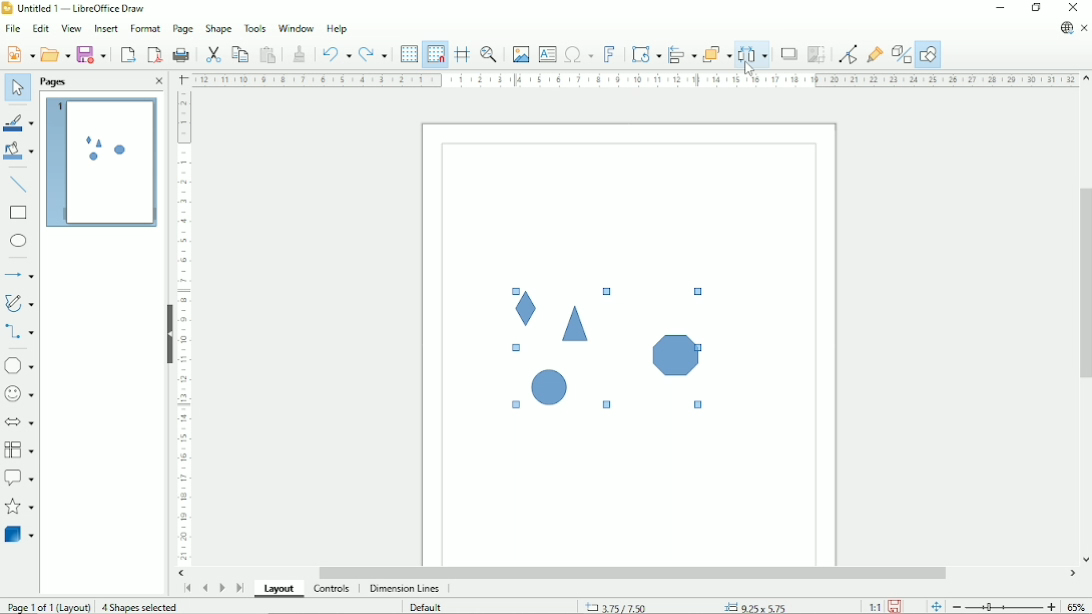 This screenshot has height=614, width=1092. I want to click on Shapes selected, so click(602, 344).